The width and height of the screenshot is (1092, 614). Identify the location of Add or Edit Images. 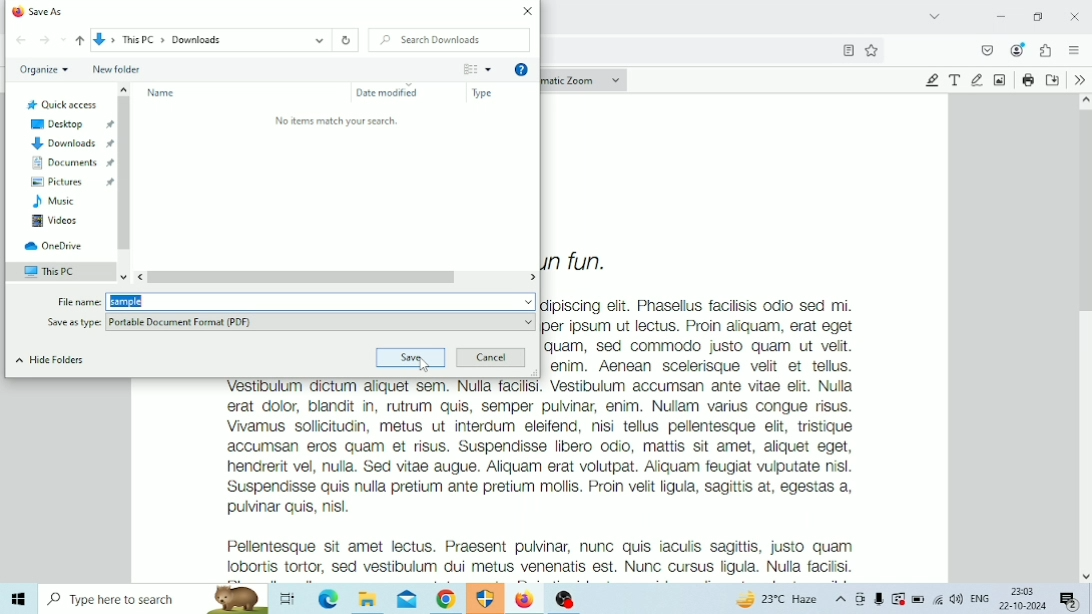
(1001, 80).